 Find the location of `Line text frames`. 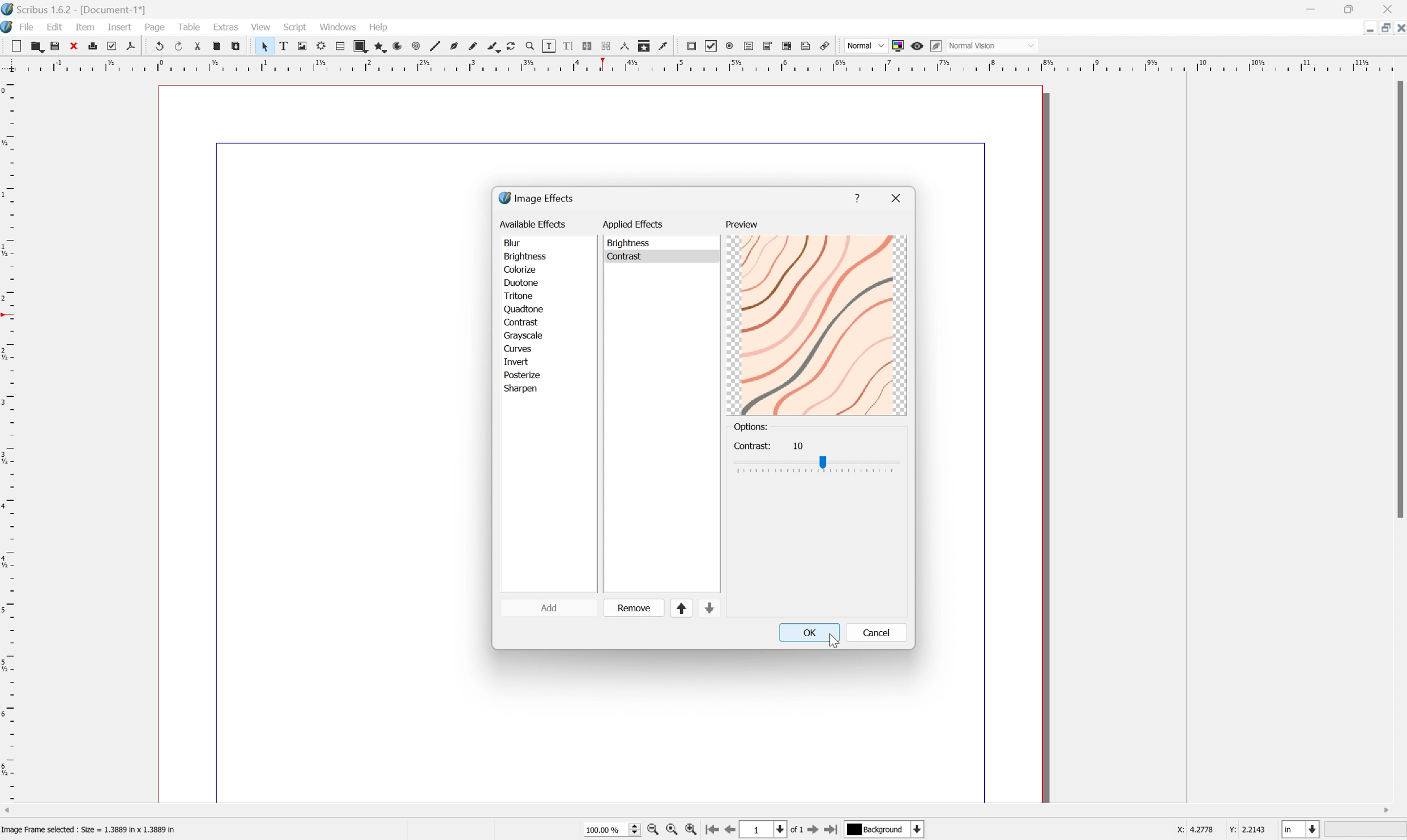

Line text frames is located at coordinates (588, 45).